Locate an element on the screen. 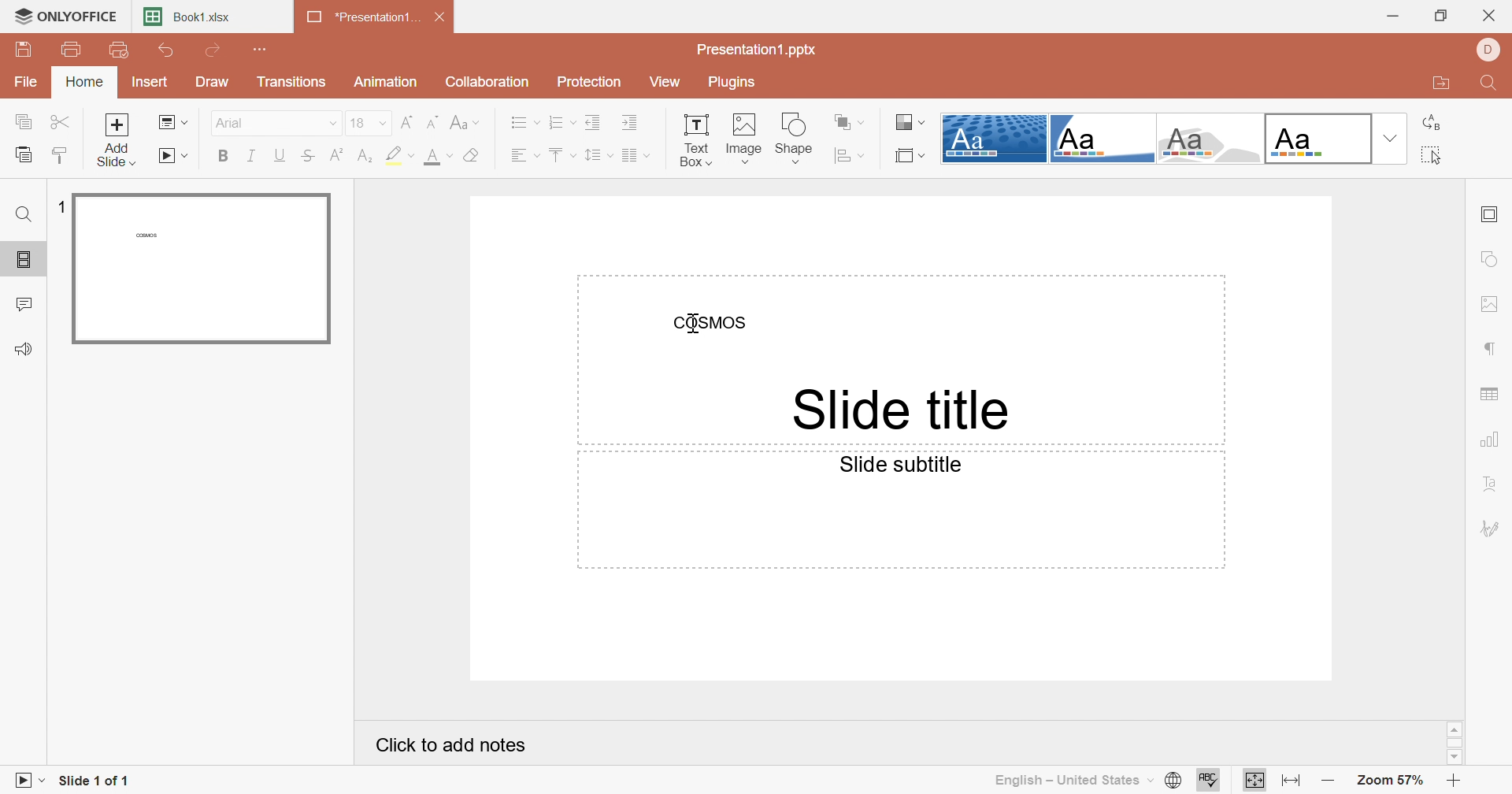 The image size is (1512, 794). Select slide size is located at coordinates (910, 156).